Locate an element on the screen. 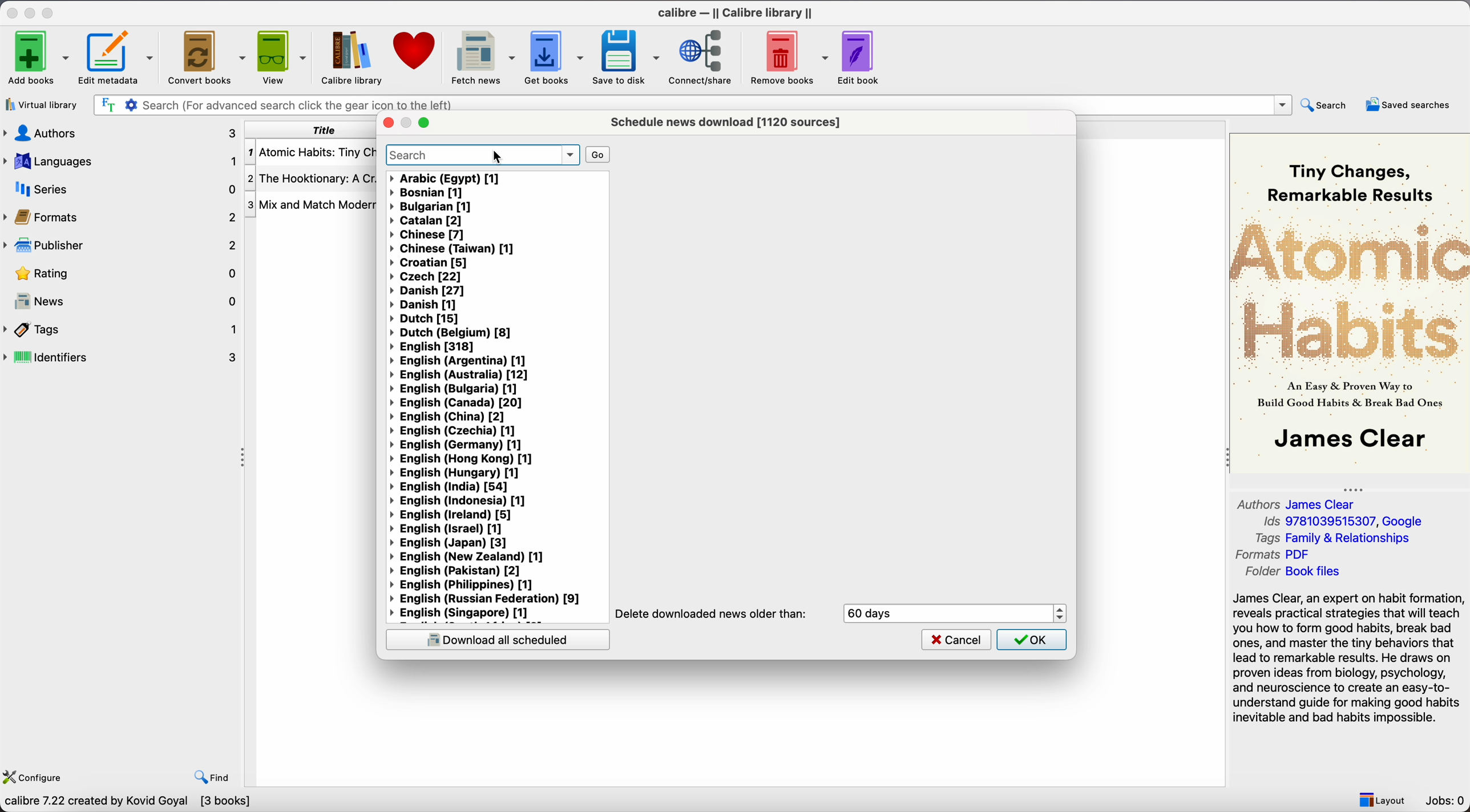 The height and width of the screenshot is (812, 1470). add books is located at coordinates (35, 56).